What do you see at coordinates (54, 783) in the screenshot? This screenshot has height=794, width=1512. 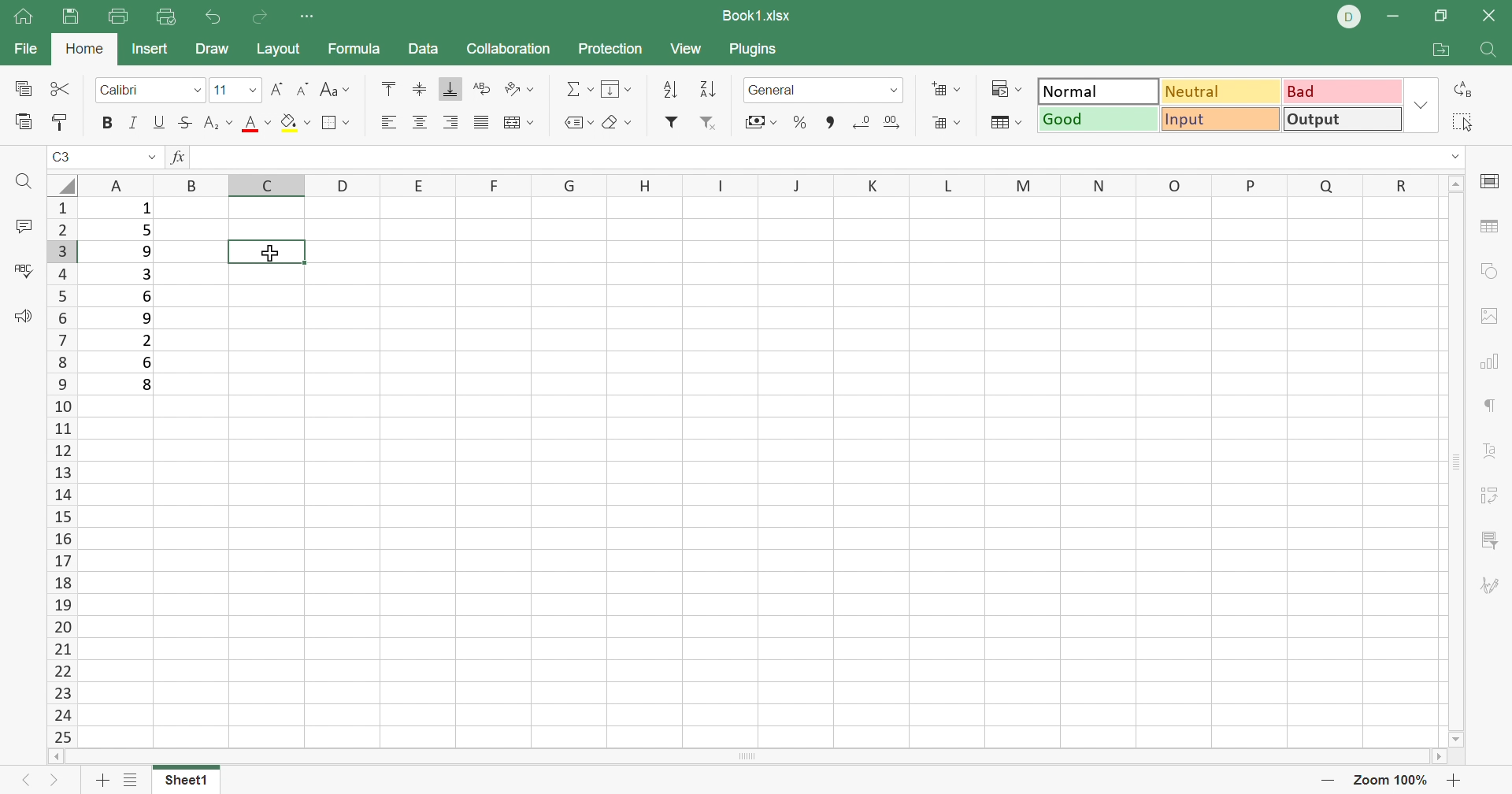 I see `Next` at bounding box center [54, 783].